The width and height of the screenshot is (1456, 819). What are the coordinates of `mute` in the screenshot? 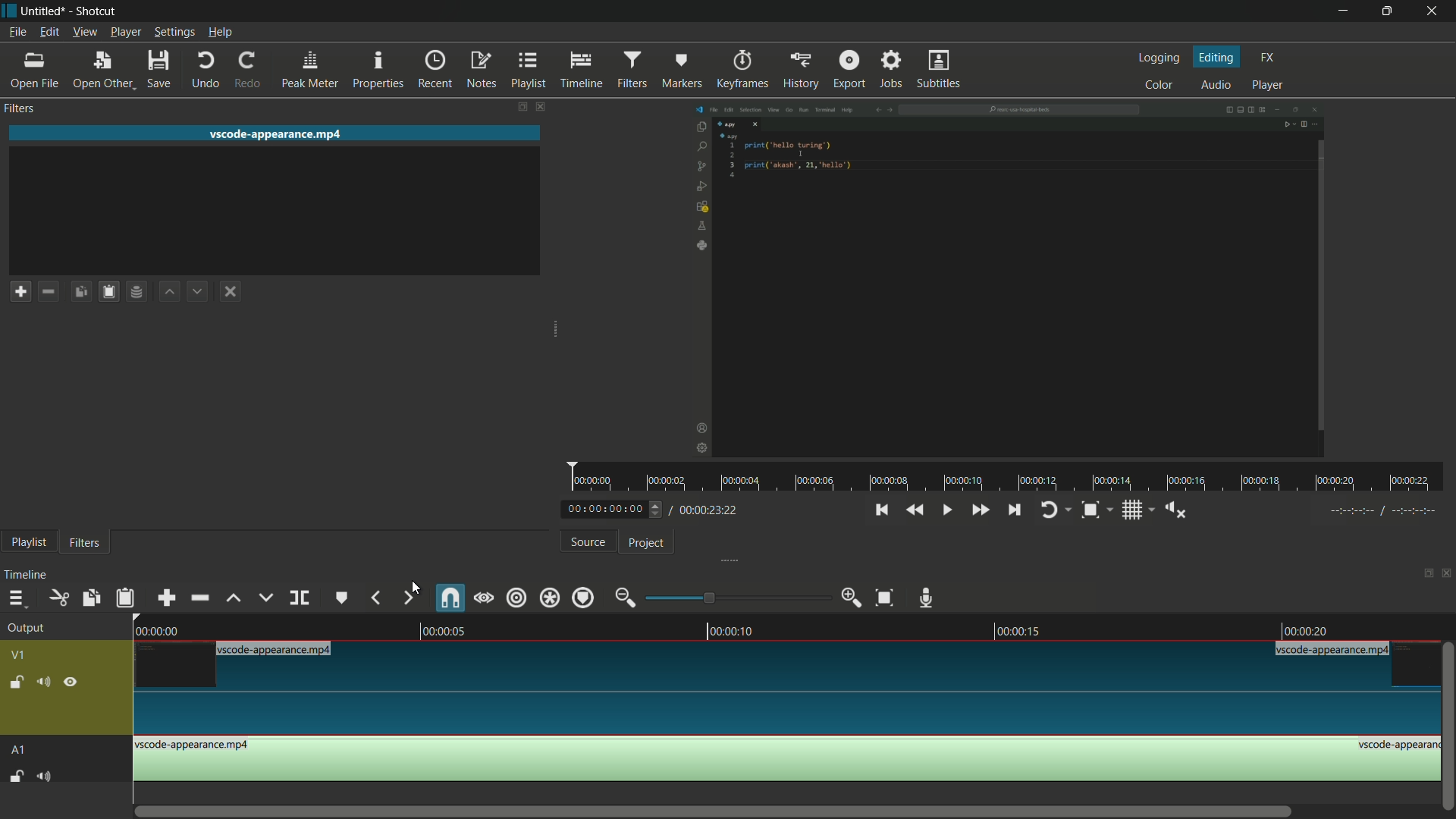 It's located at (43, 682).